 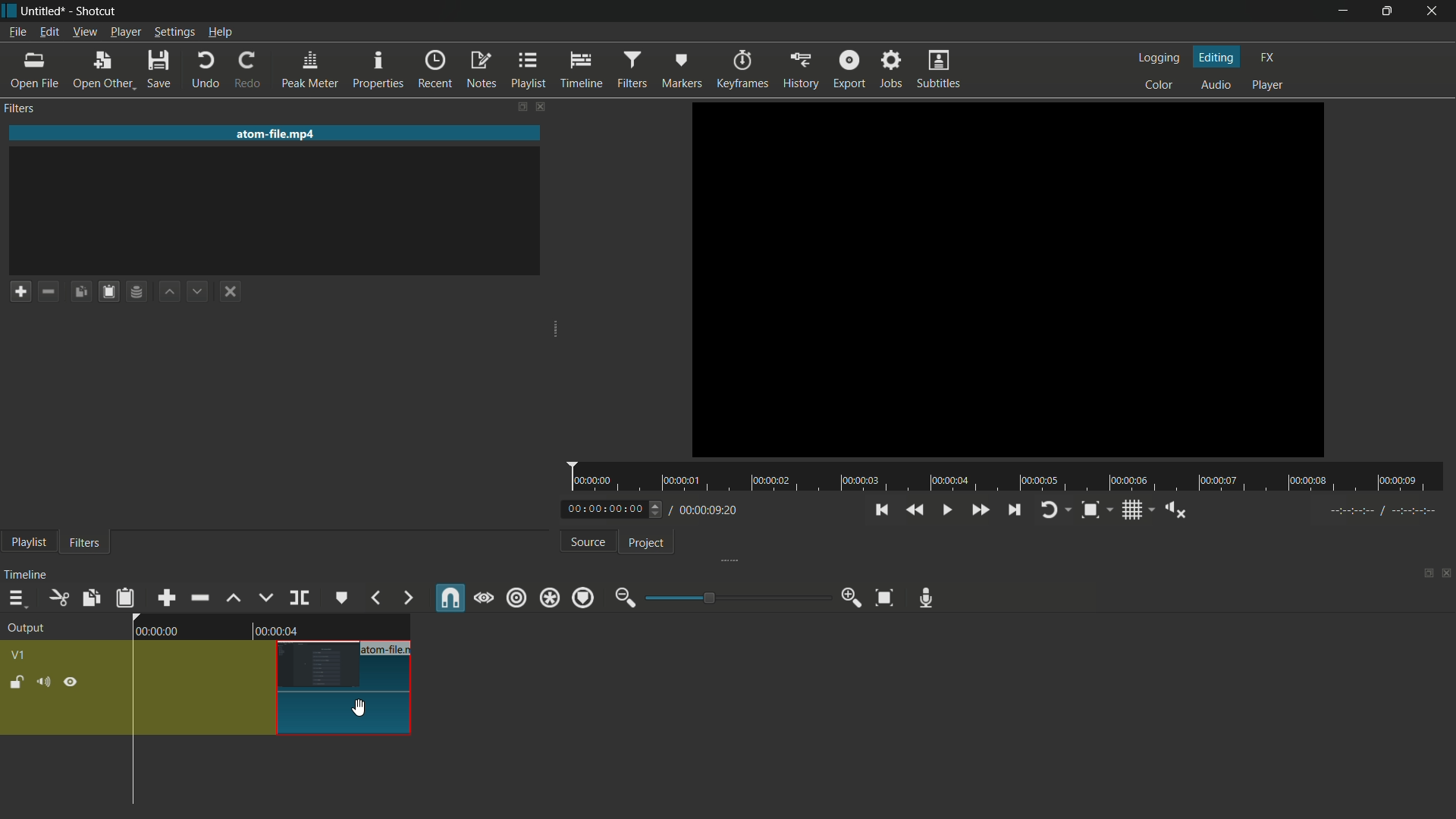 What do you see at coordinates (157, 632) in the screenshot?
I see `current time` at bounding box center [157, 632].